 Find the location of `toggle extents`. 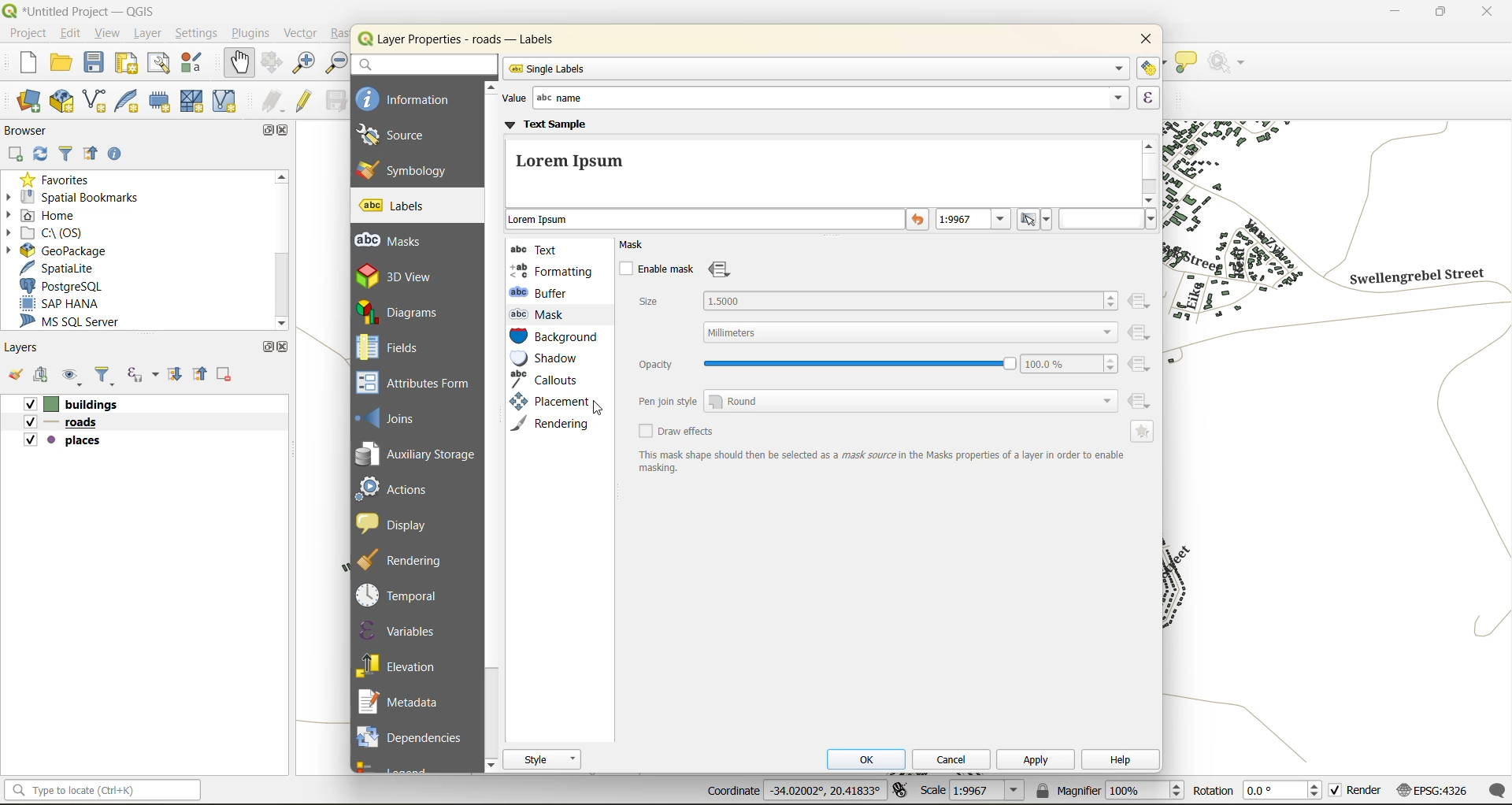

toggle extents is located at coordinates (900, 788).